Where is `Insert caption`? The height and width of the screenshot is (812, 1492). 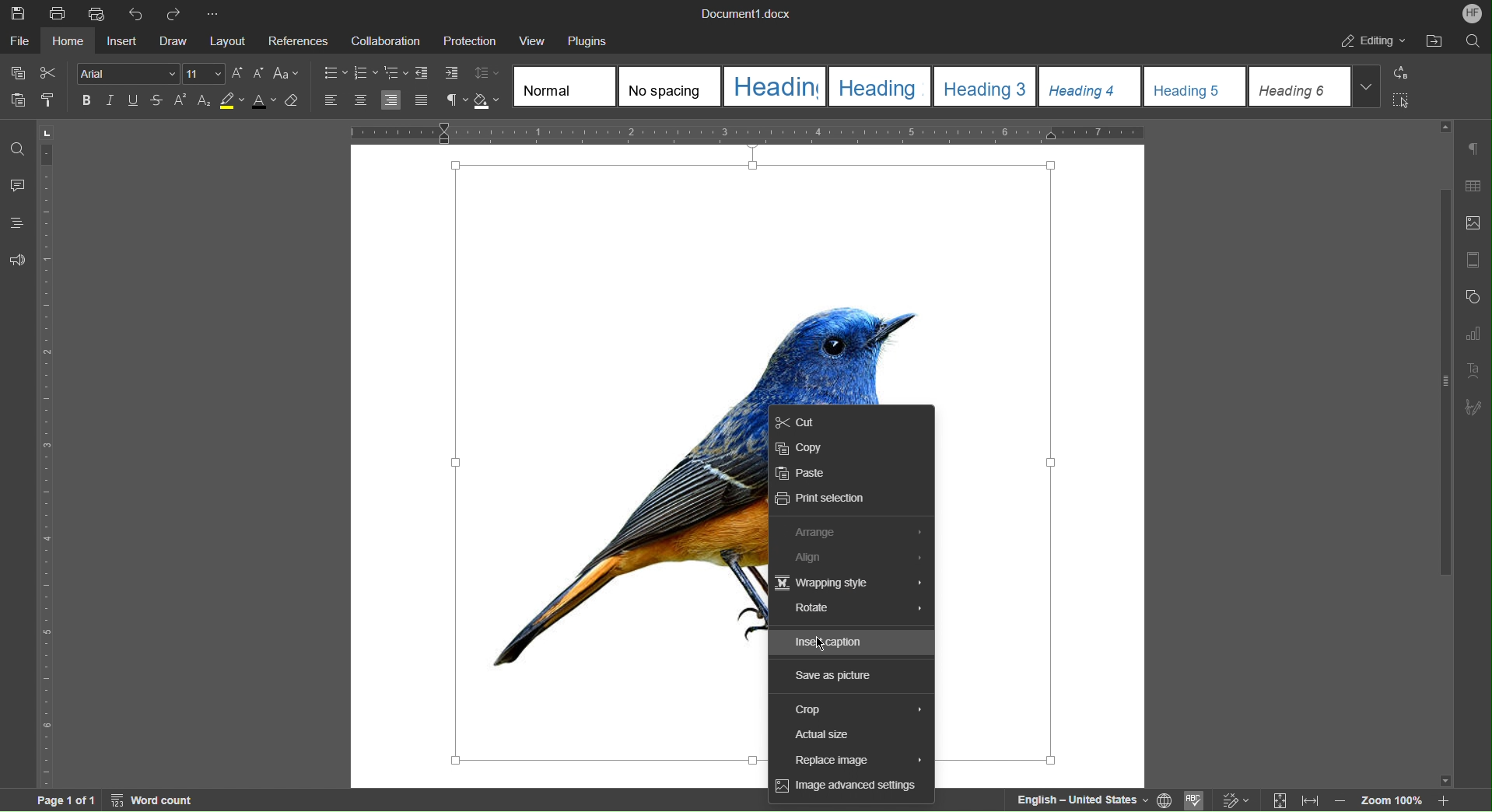 Insert caption is located at coordinates (852, 643).